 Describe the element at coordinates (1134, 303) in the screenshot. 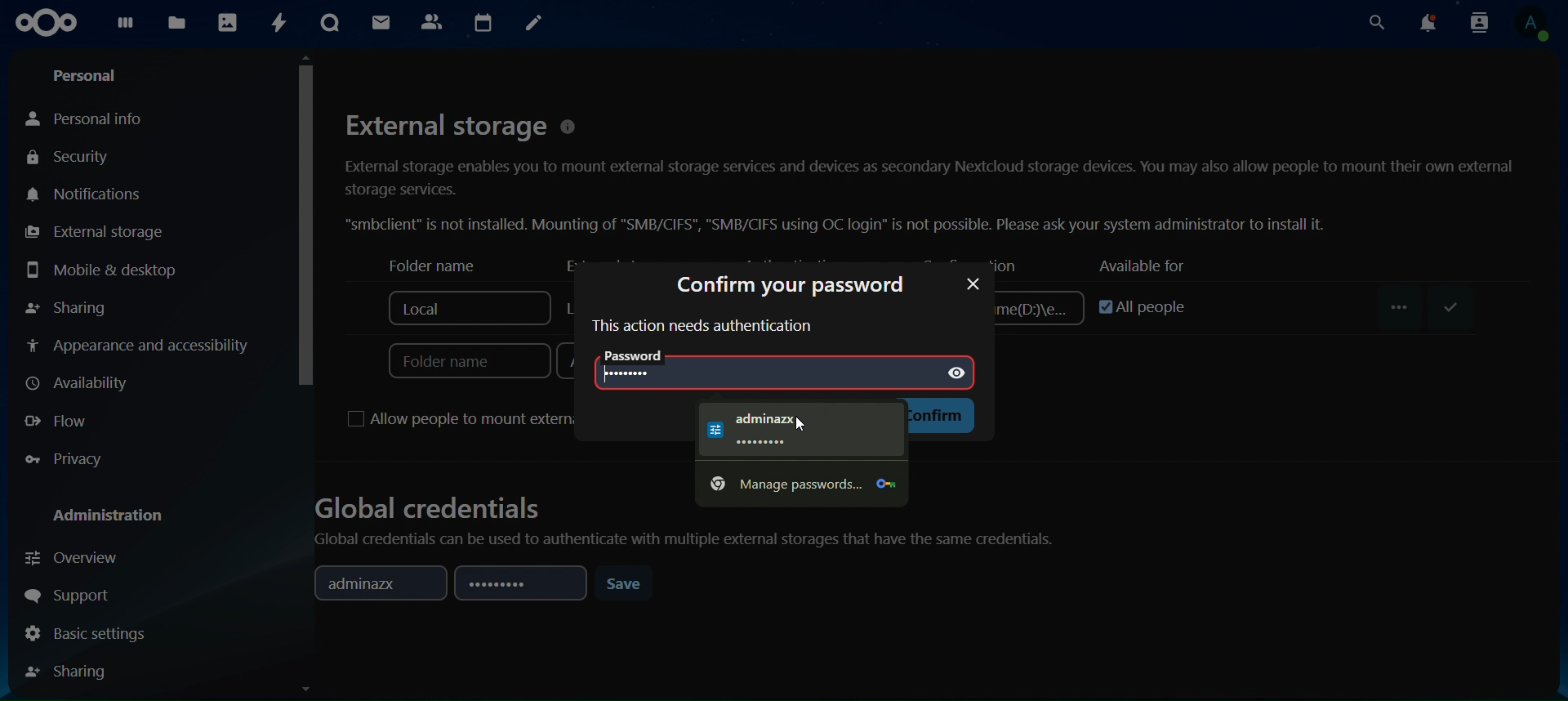

I see `all people` at that location.